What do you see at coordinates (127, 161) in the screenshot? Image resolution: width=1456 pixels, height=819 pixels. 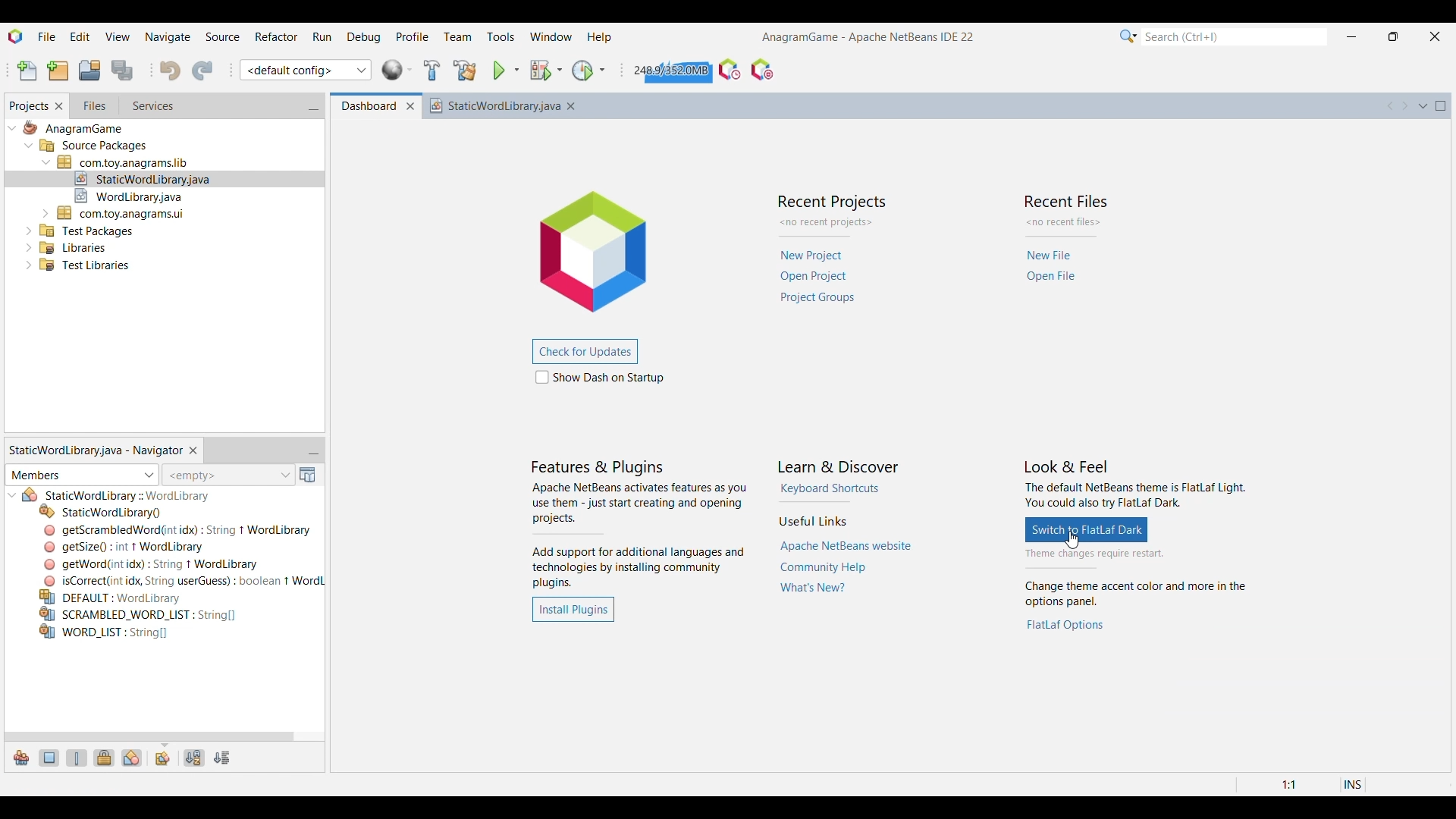 I see `` at bounding box center [127, 161].